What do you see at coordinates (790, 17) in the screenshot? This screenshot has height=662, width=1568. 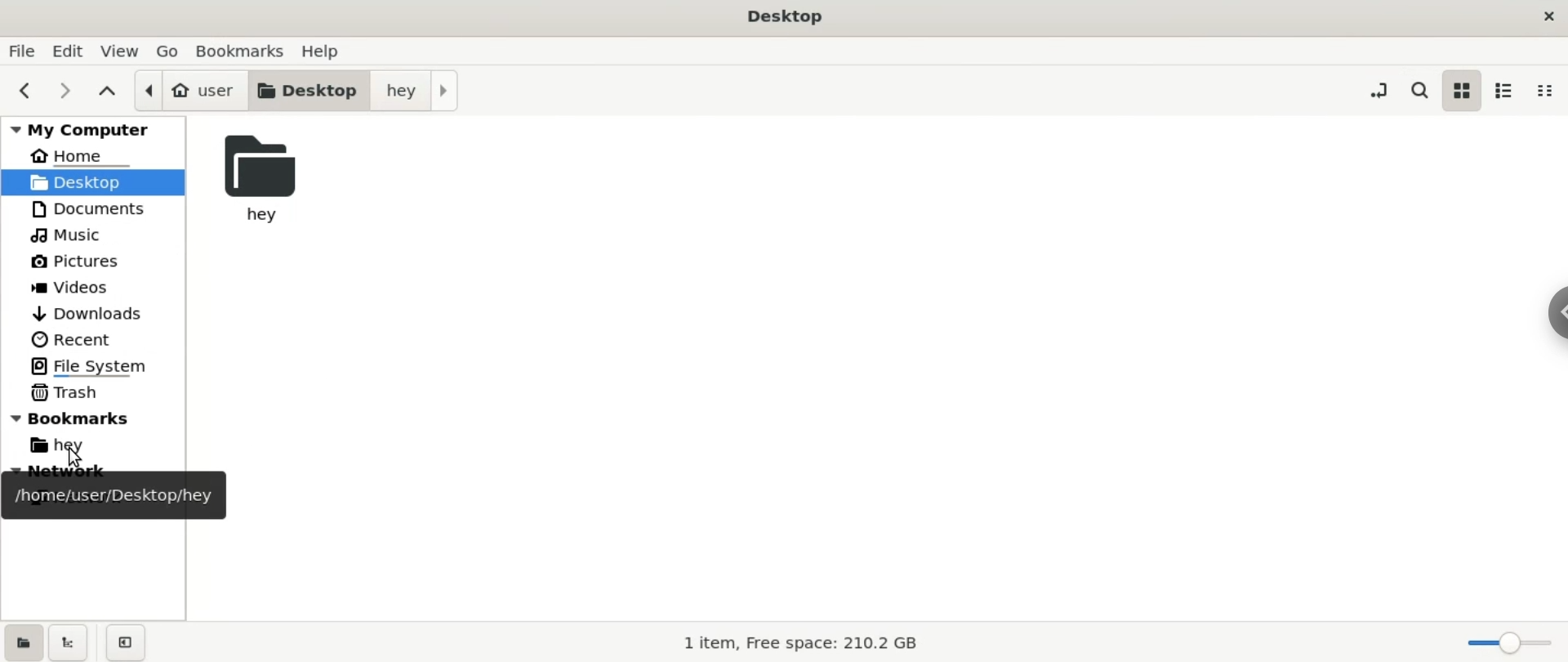 I see `desktop` at bounding box center [790, 17].